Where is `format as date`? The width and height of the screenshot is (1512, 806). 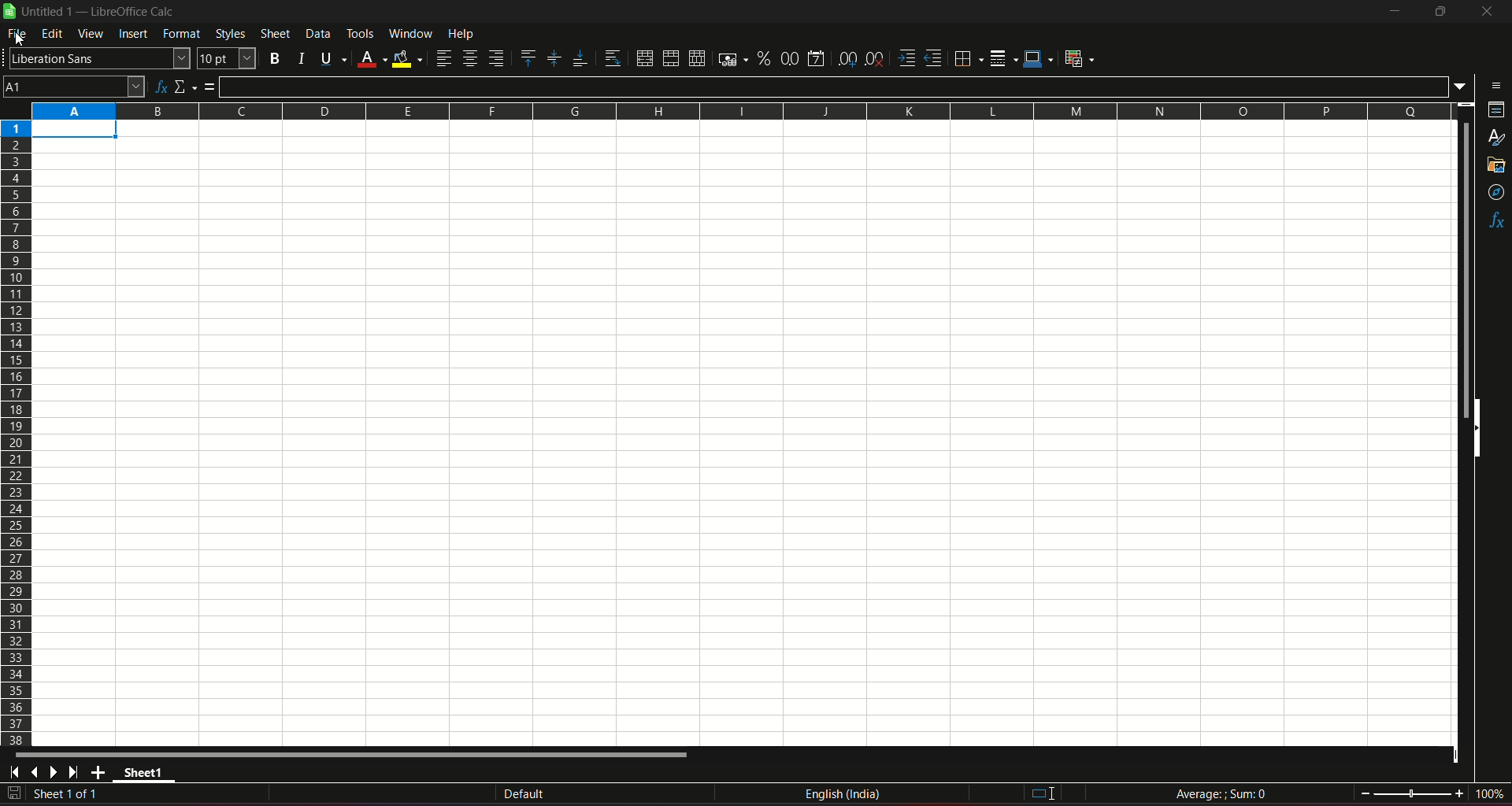
format as date is located at coordinates (818, 57).